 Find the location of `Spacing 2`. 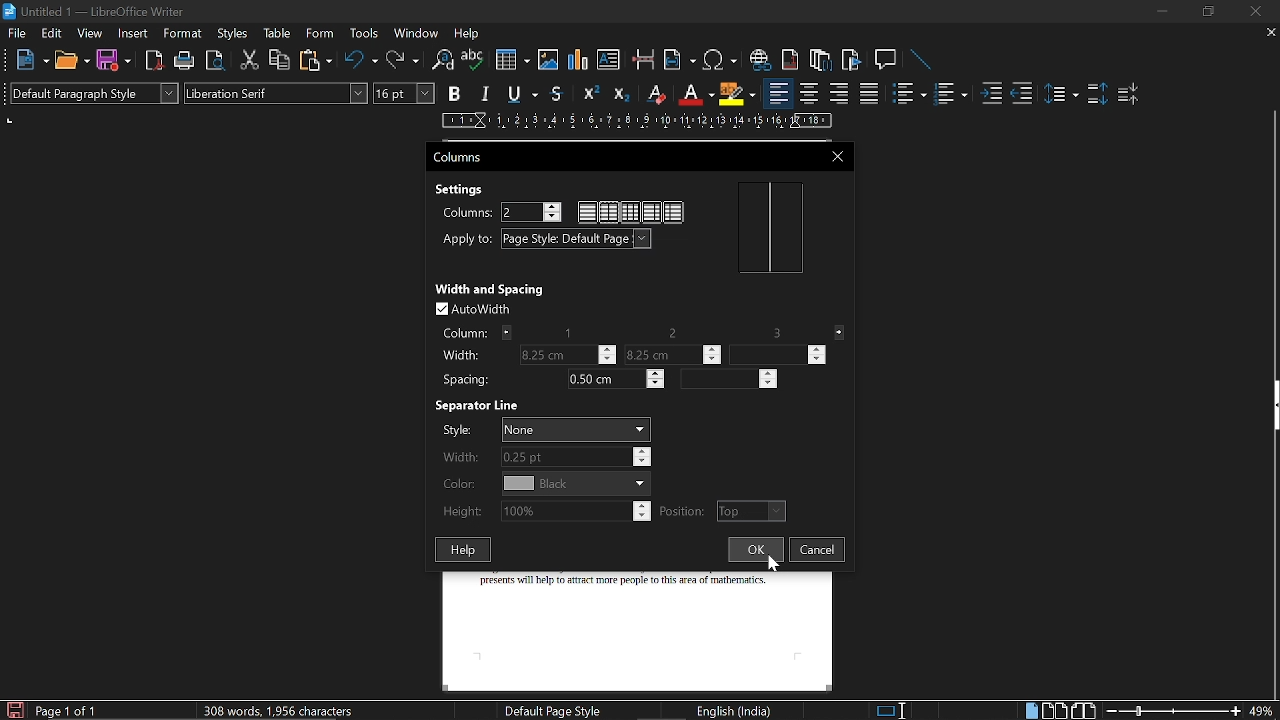

Spacing 2 is located at coordinates (725, 380).